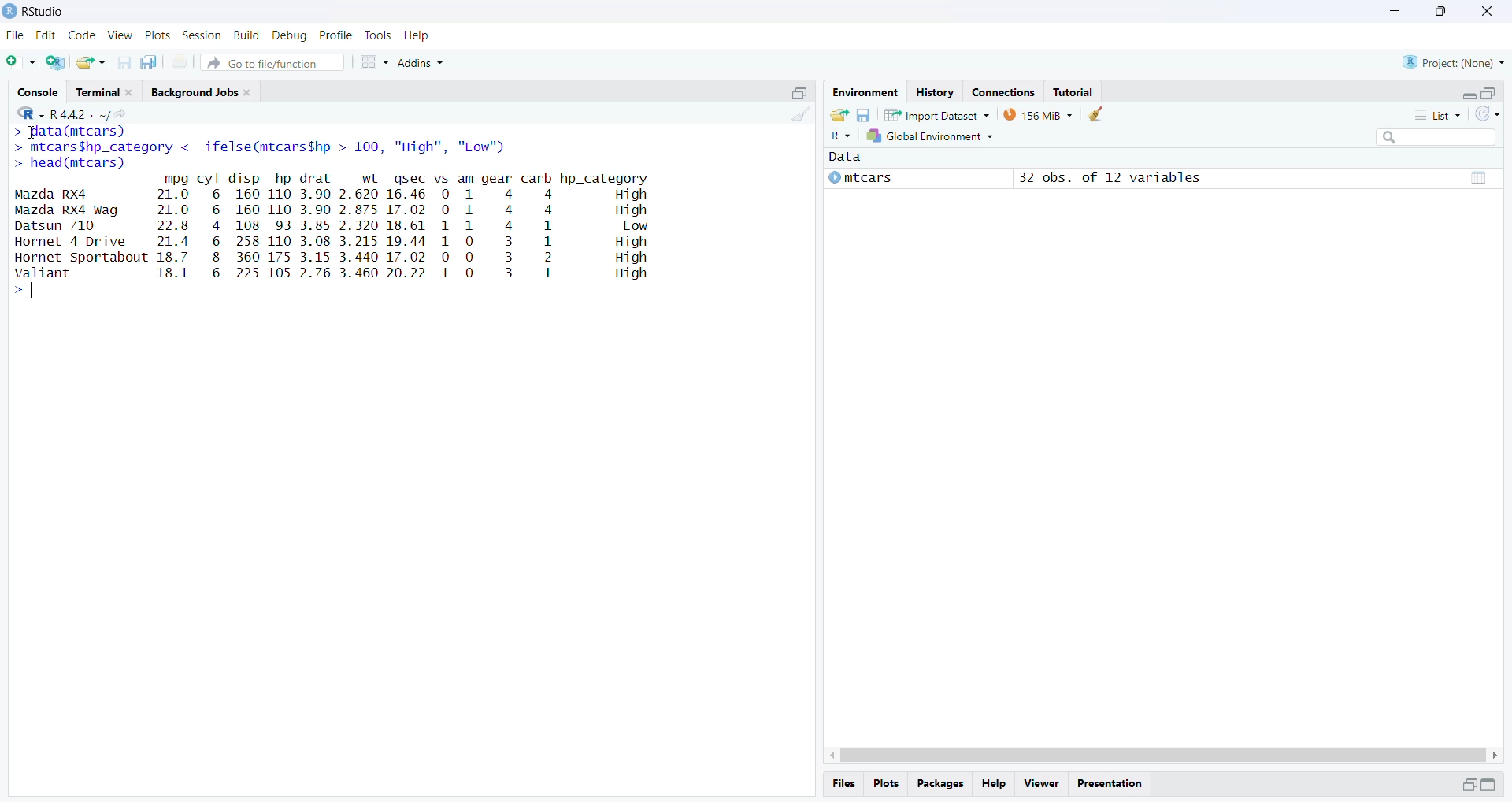  I want to click on Load workspace, so click(837, 114).